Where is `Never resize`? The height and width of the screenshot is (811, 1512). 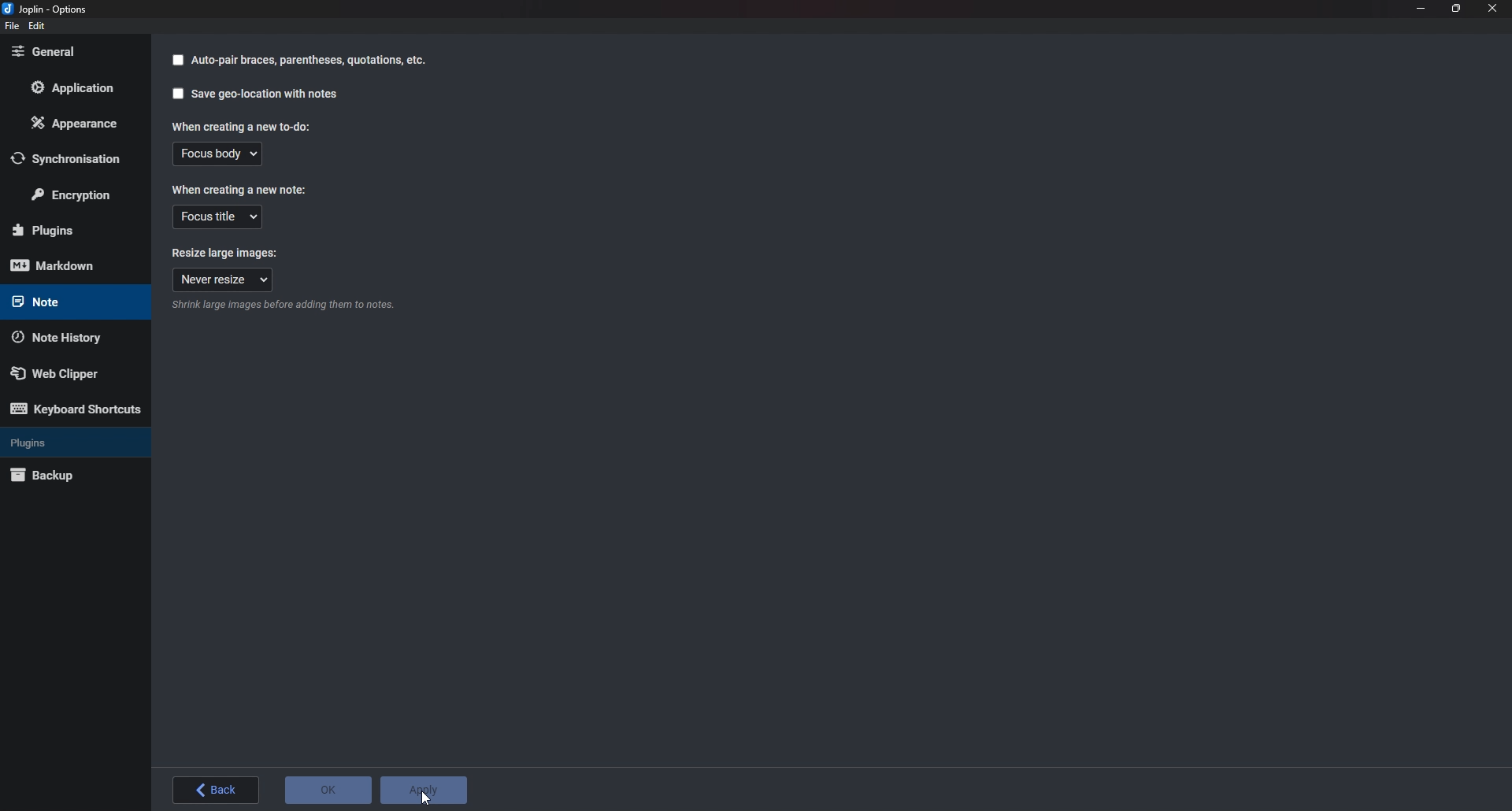 Never resize is located at coordinates (222, 280).